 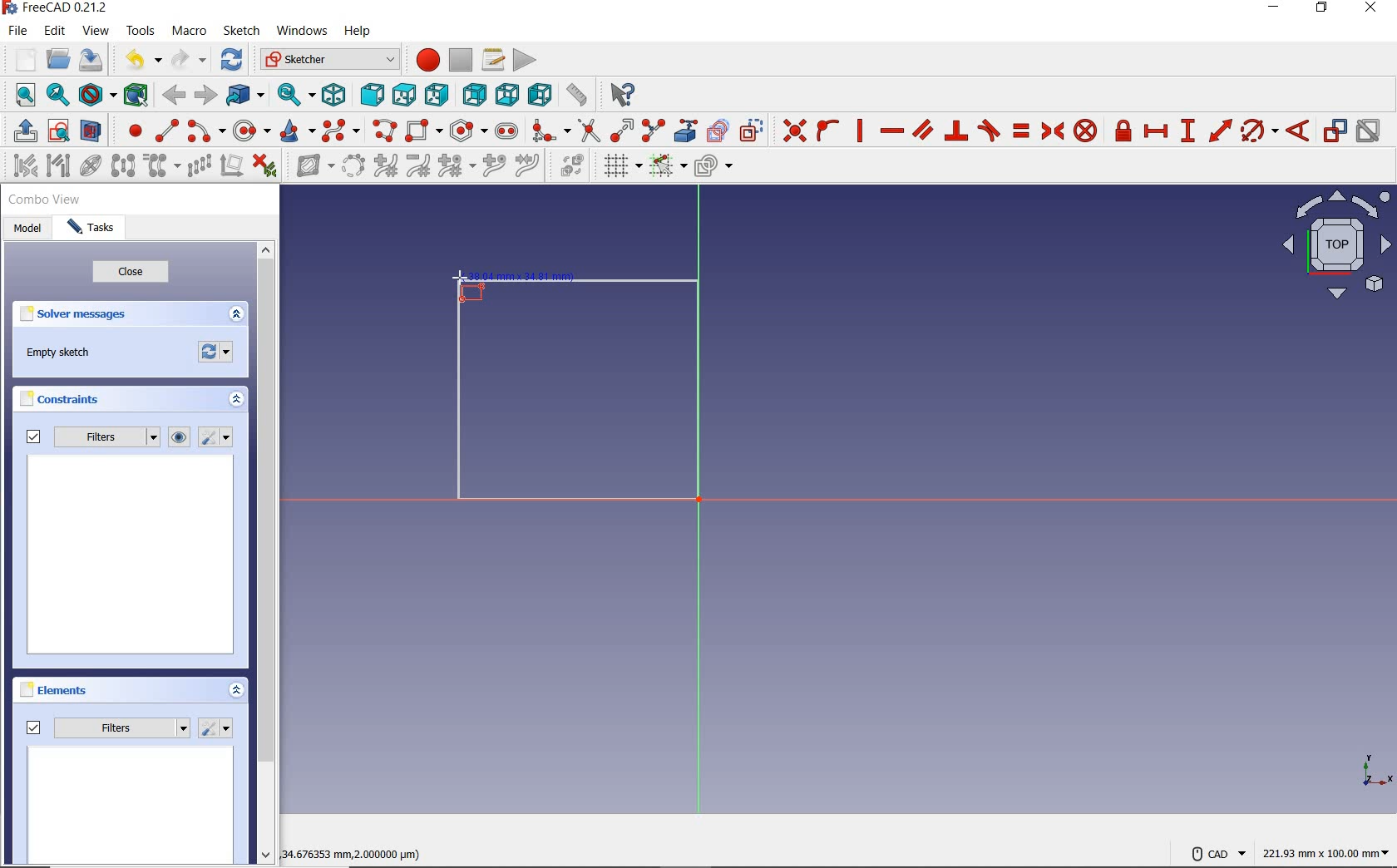 I want to click on modify knot multiplicity, so click(x=456, y=166).